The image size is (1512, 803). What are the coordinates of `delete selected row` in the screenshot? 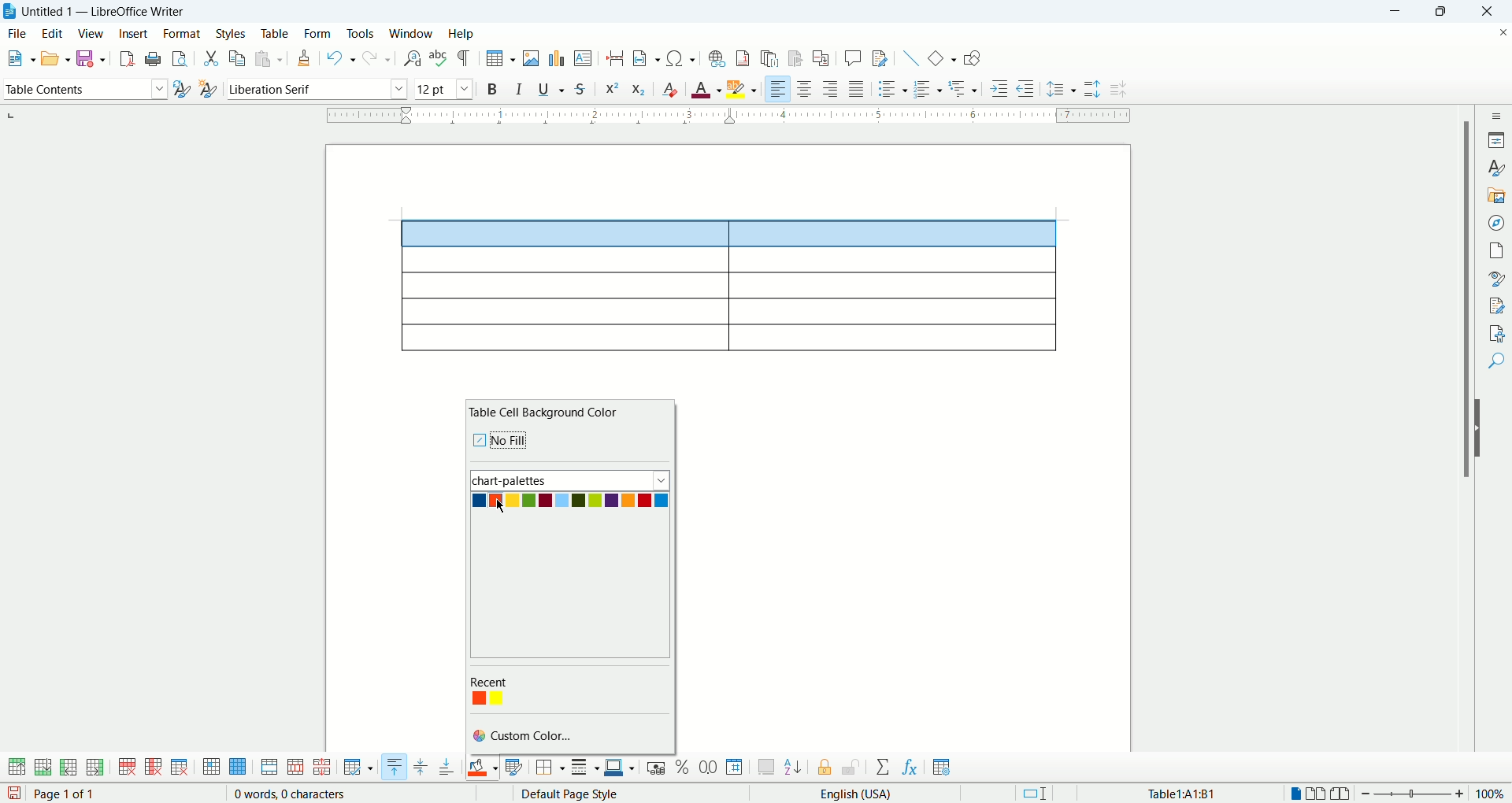 It's located at (128, 767).